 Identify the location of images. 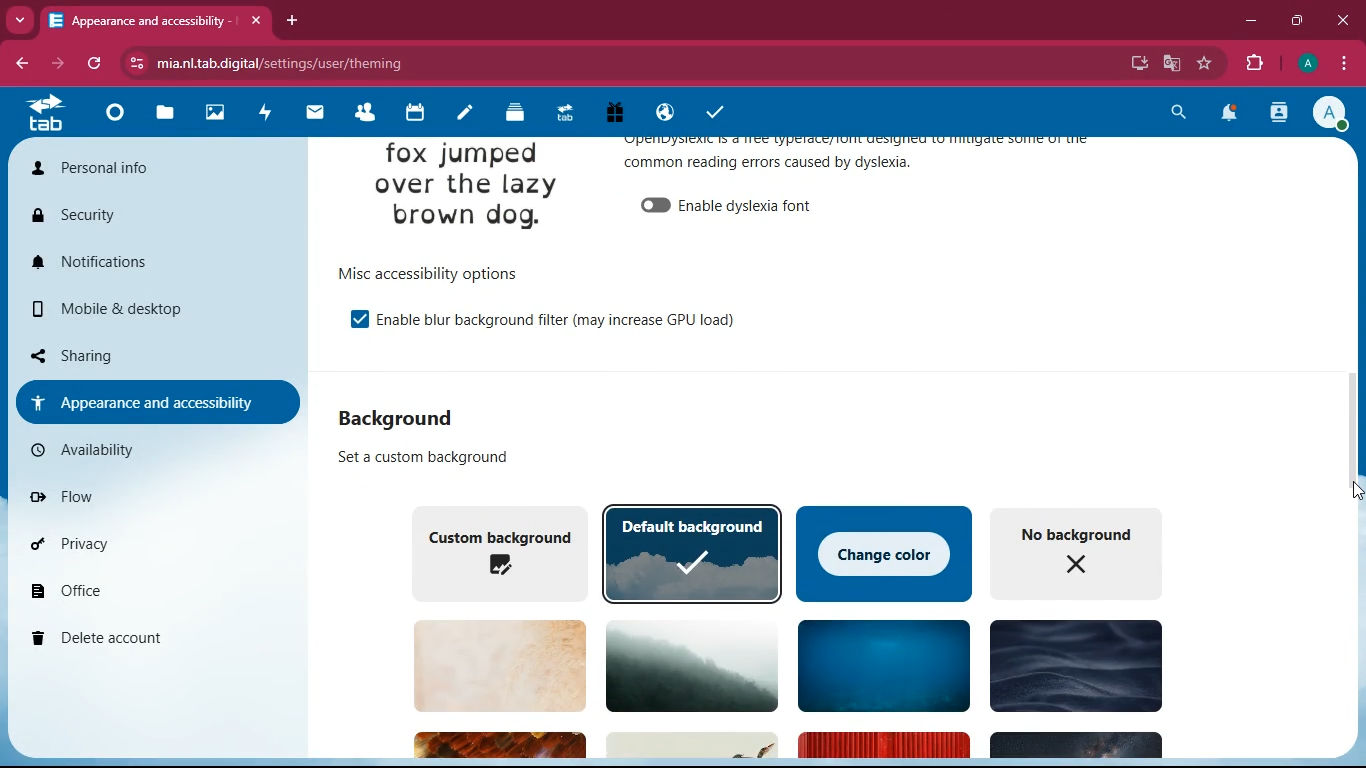
(218, 114).